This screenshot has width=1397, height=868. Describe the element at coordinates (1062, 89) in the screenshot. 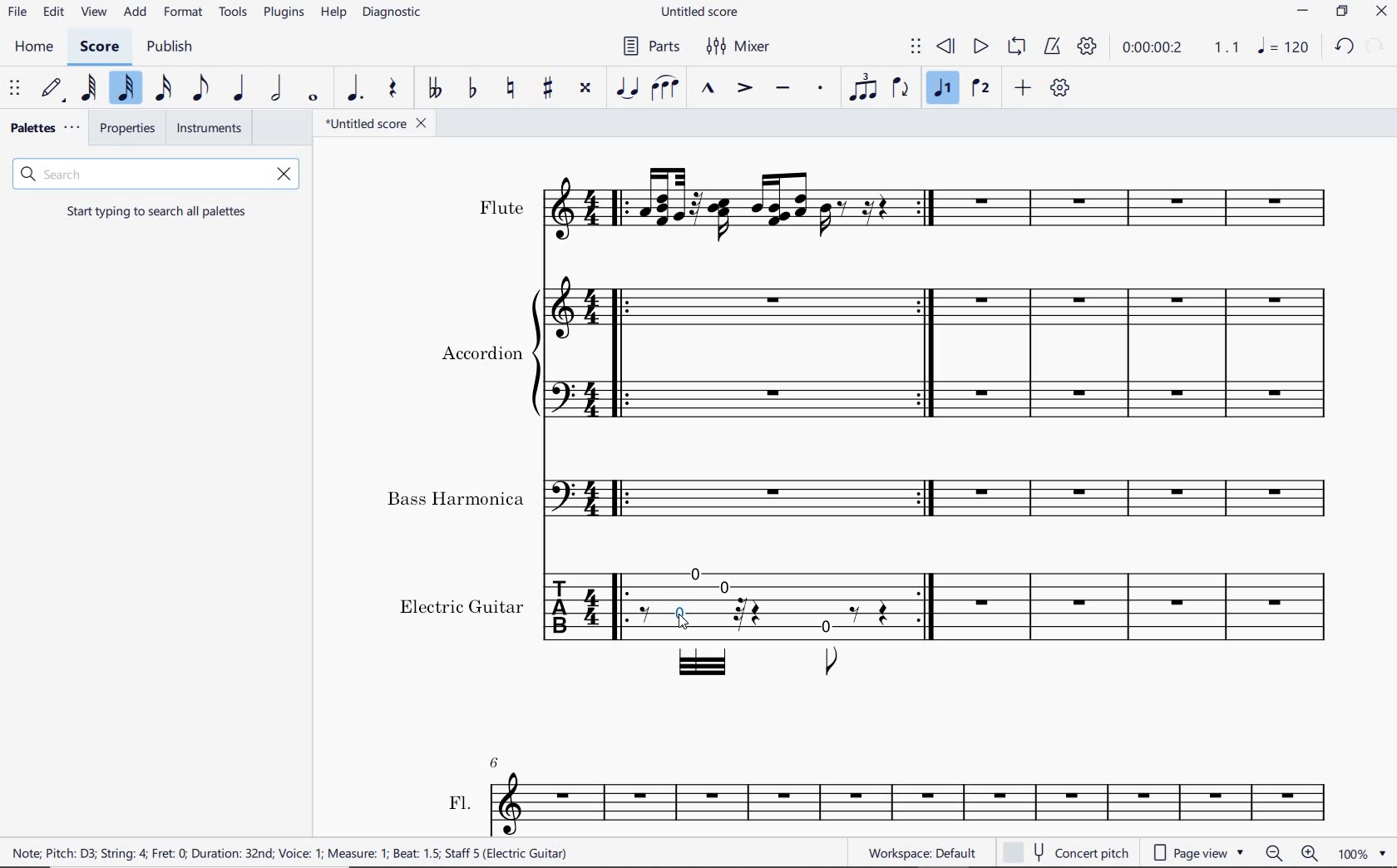

I see `customize toolbar` at that location.